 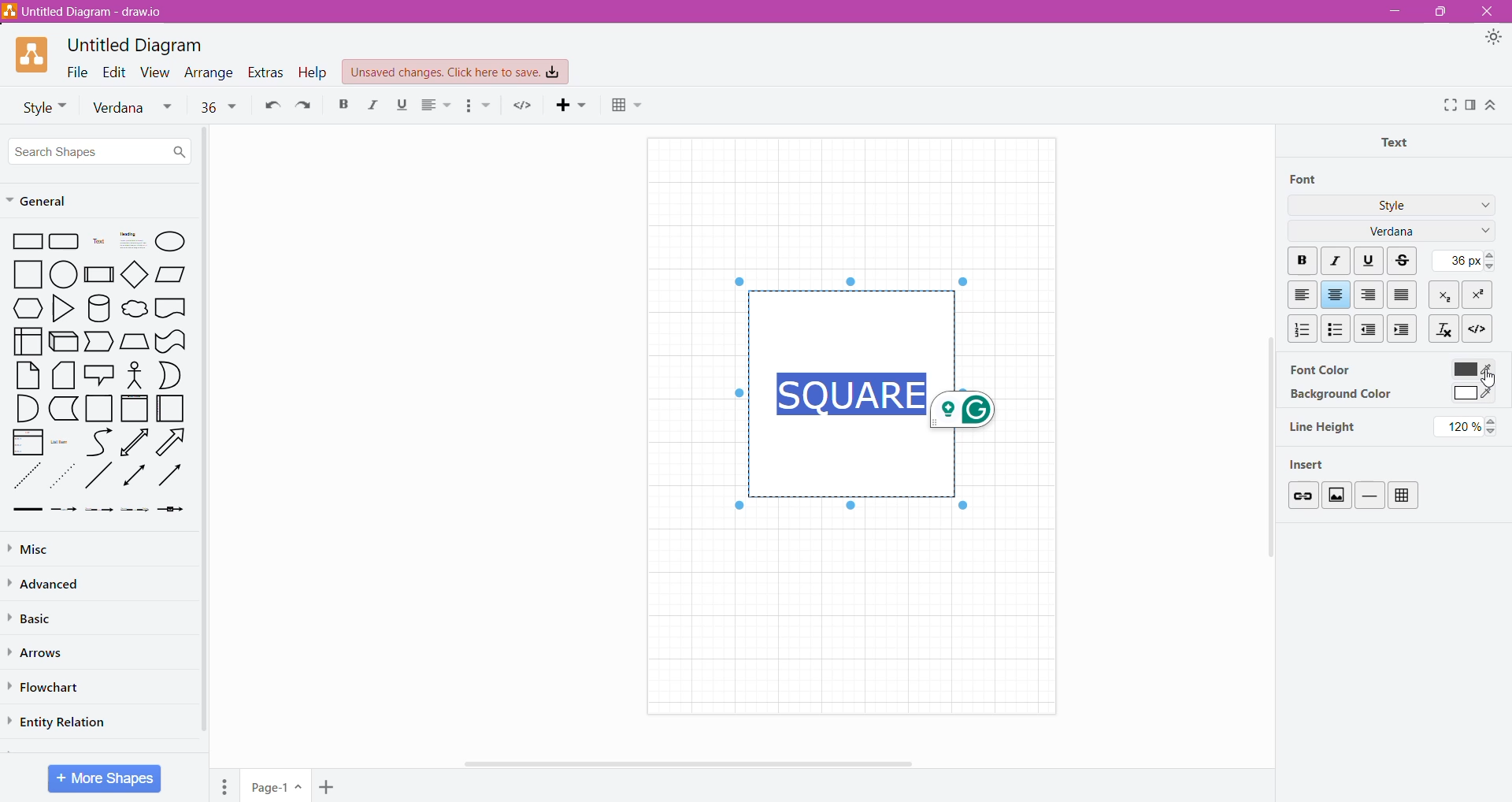 I want to click on Dotted Arrow , so click(x=135, y=510).